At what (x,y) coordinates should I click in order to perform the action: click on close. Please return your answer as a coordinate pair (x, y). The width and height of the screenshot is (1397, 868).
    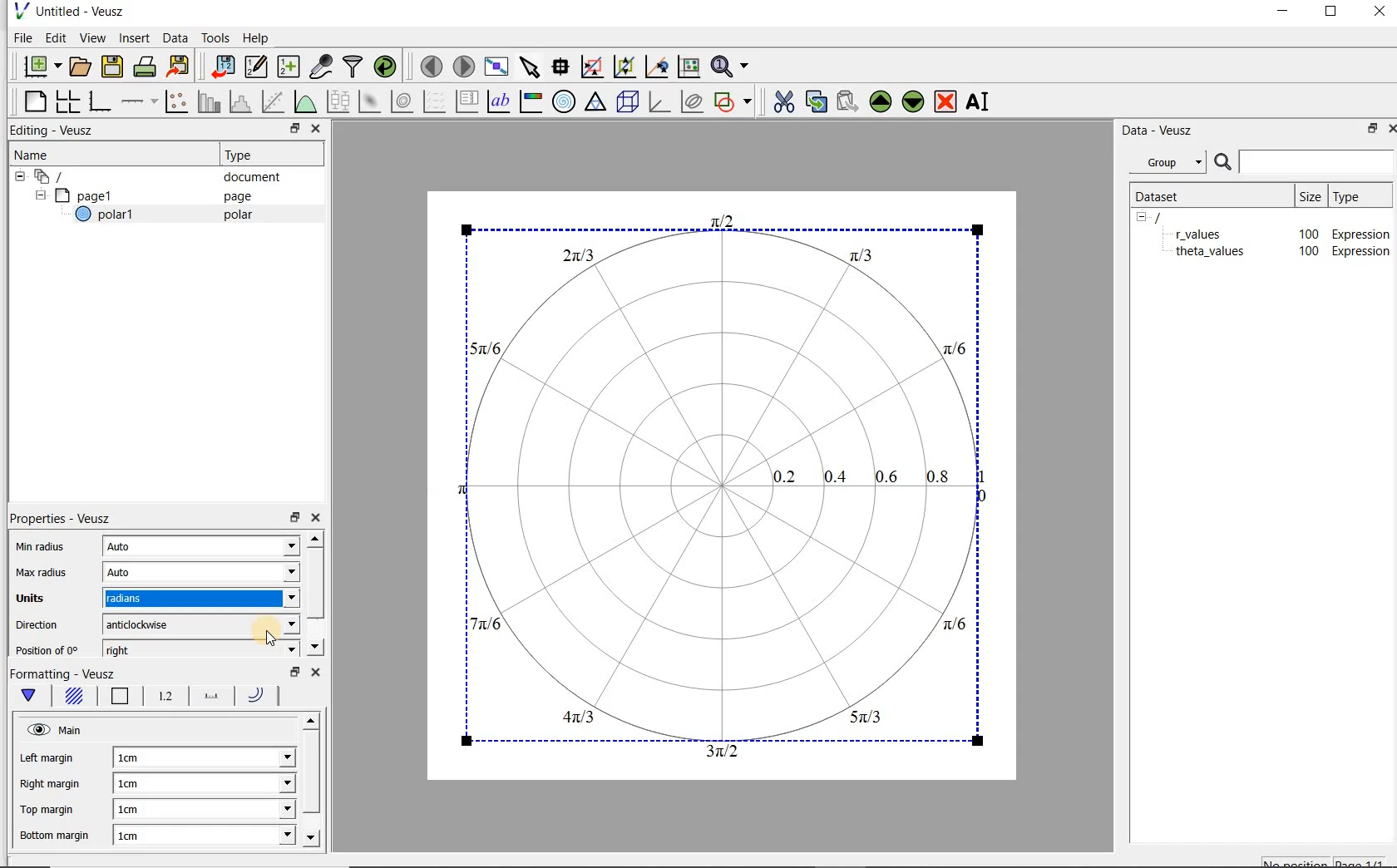
    Looking at the image, I should click on (314, 673).